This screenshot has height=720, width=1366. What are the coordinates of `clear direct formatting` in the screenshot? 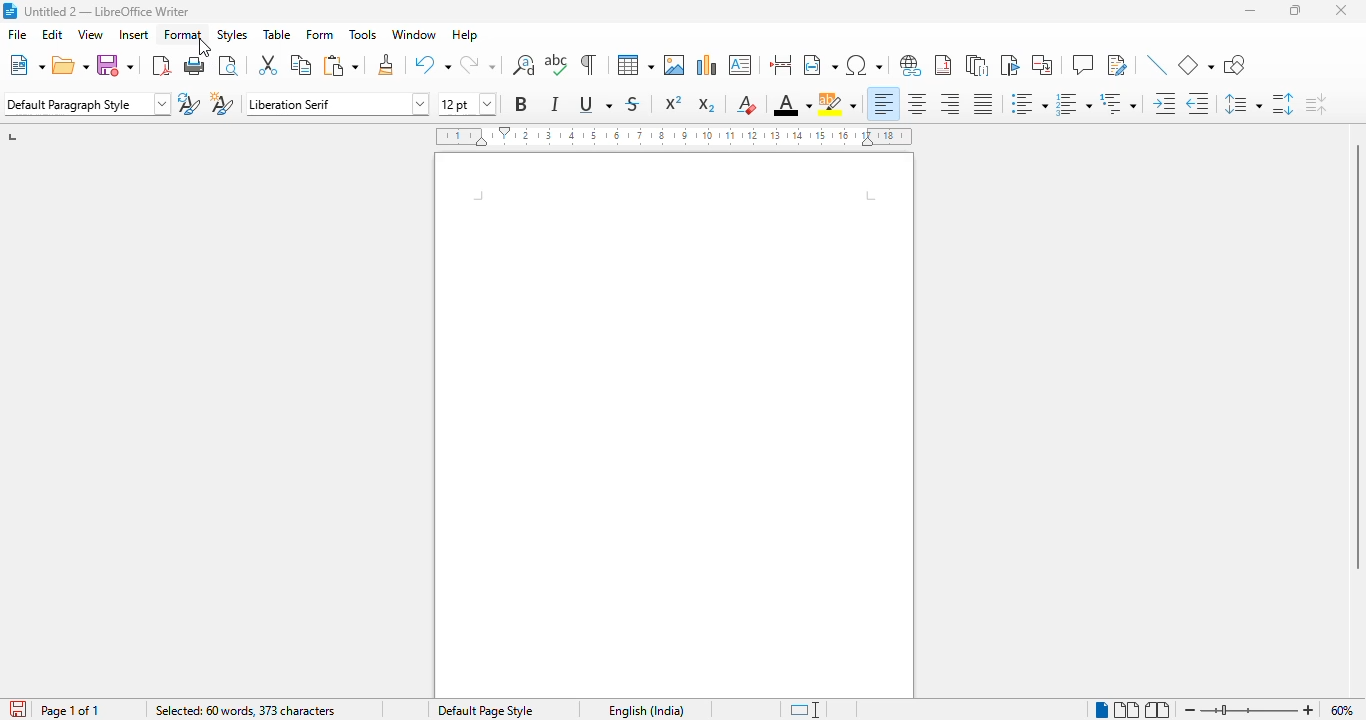 It's located at (746, 104).